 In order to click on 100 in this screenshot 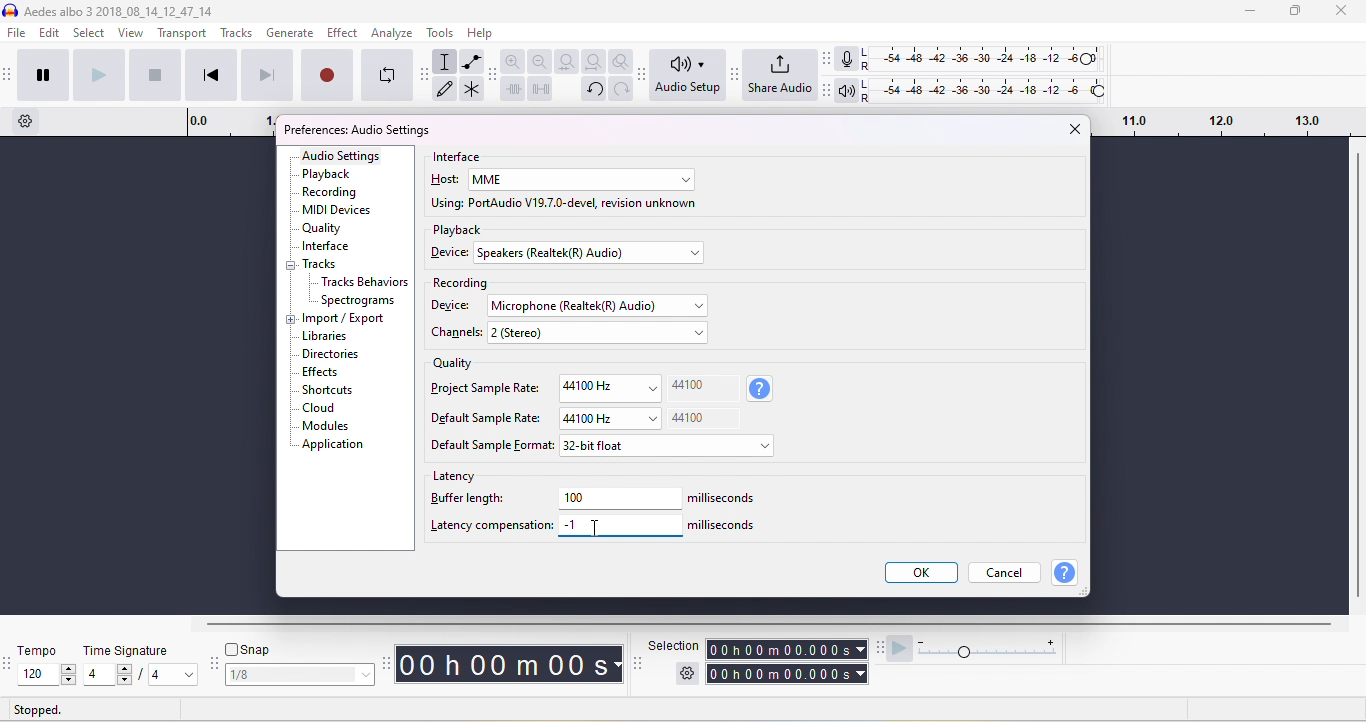, I will do `click(621, 498)`.